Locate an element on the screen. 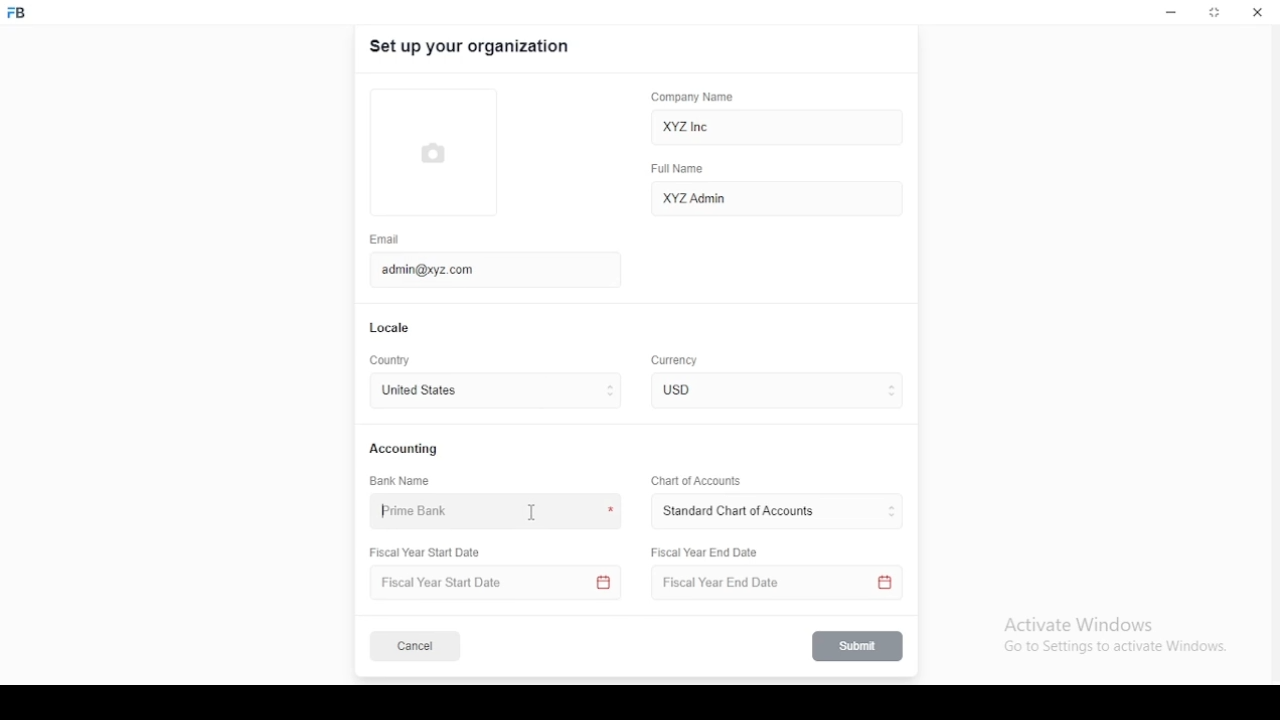  Currency is located at coordinates (675, 361).